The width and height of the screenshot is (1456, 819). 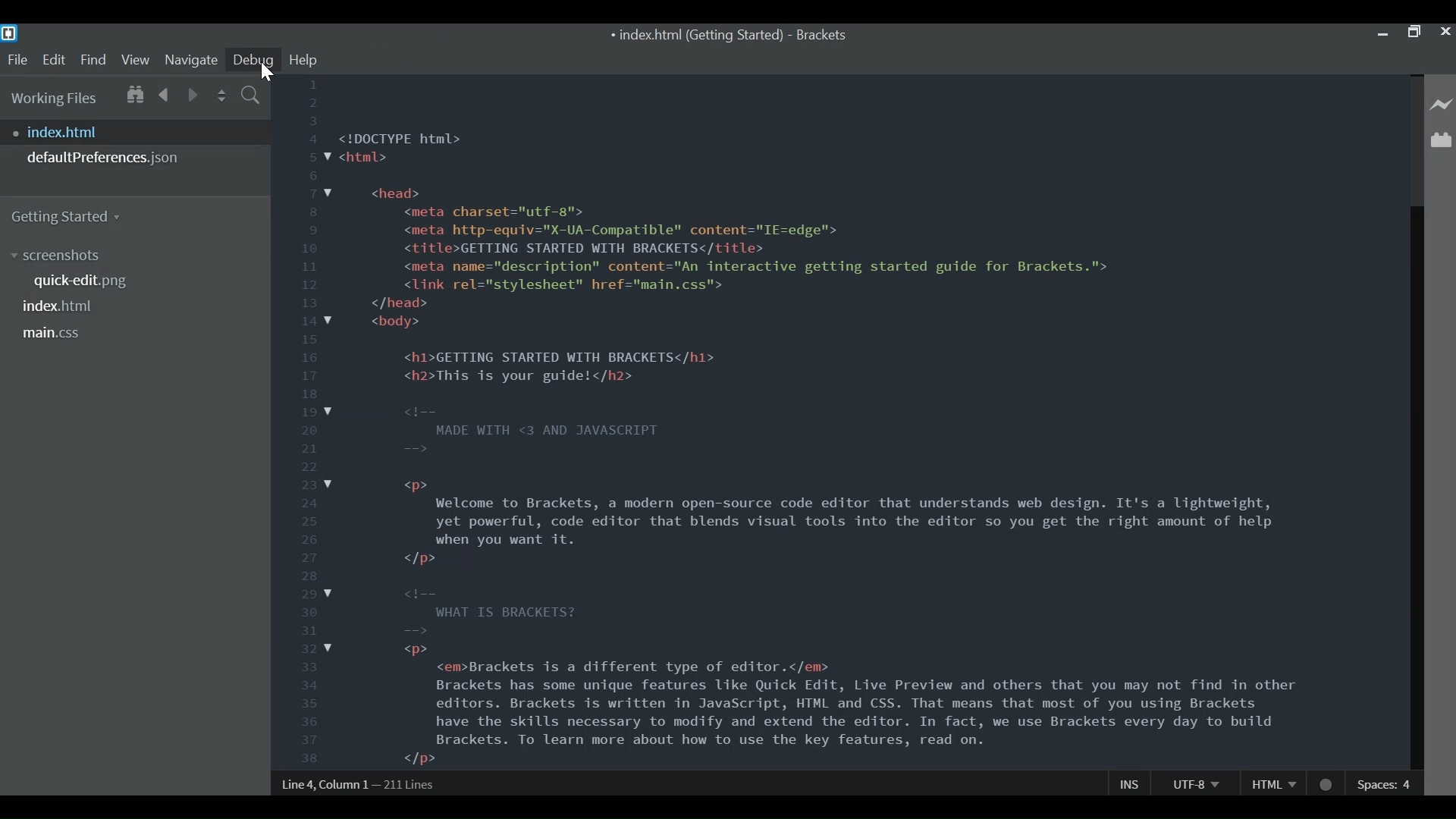 I want to click on Navigate Backwards, so click(x=165, y=93).